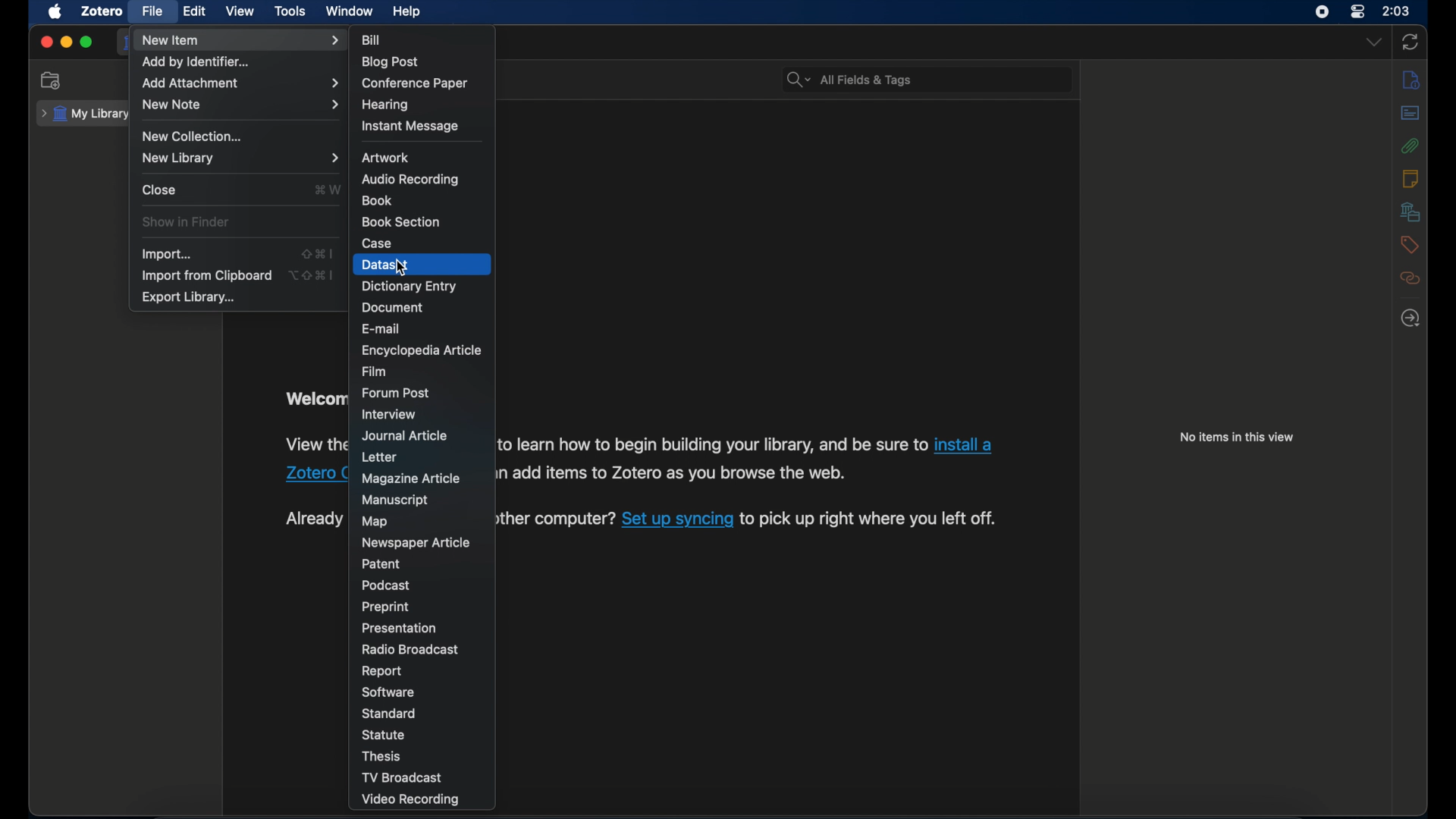  What do you see at coordinates (378, 244) in the screenshot?
I see `case` at bounding box center [378, 244].